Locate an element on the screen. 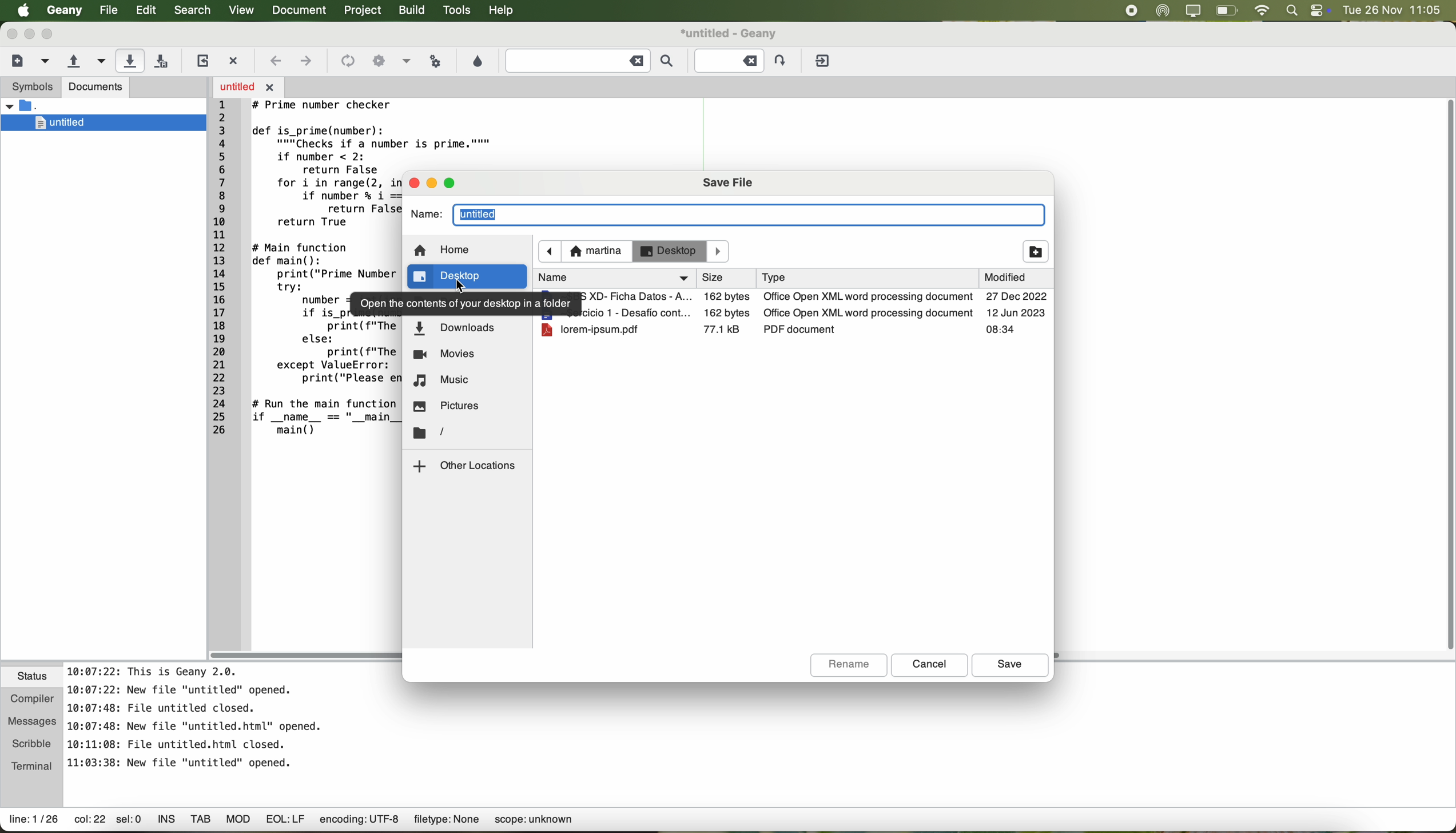 This screenshot has height=833, width=1456. status is located at coordinates (33, 677).